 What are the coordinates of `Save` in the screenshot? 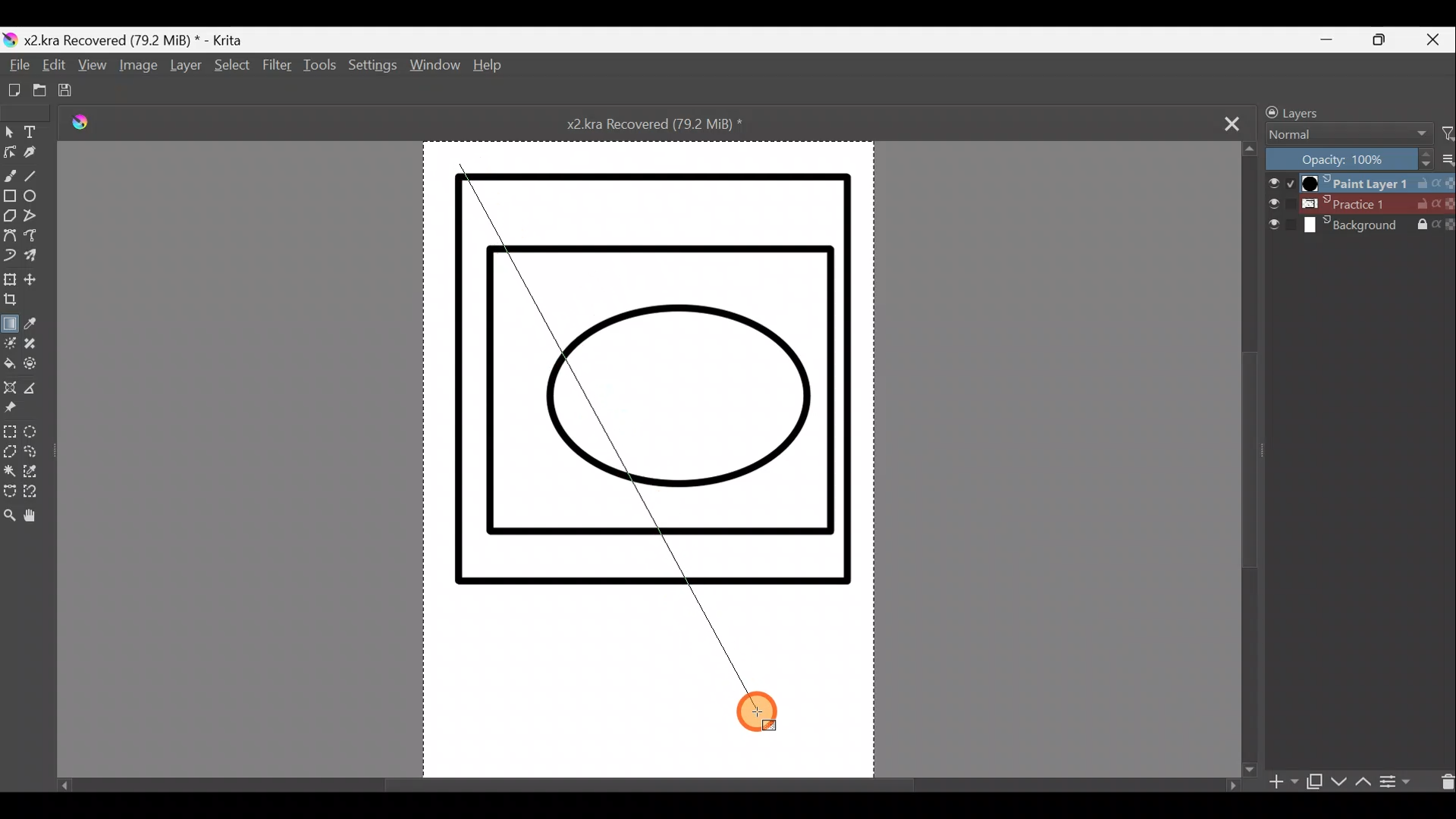 It's located at (72, 92).